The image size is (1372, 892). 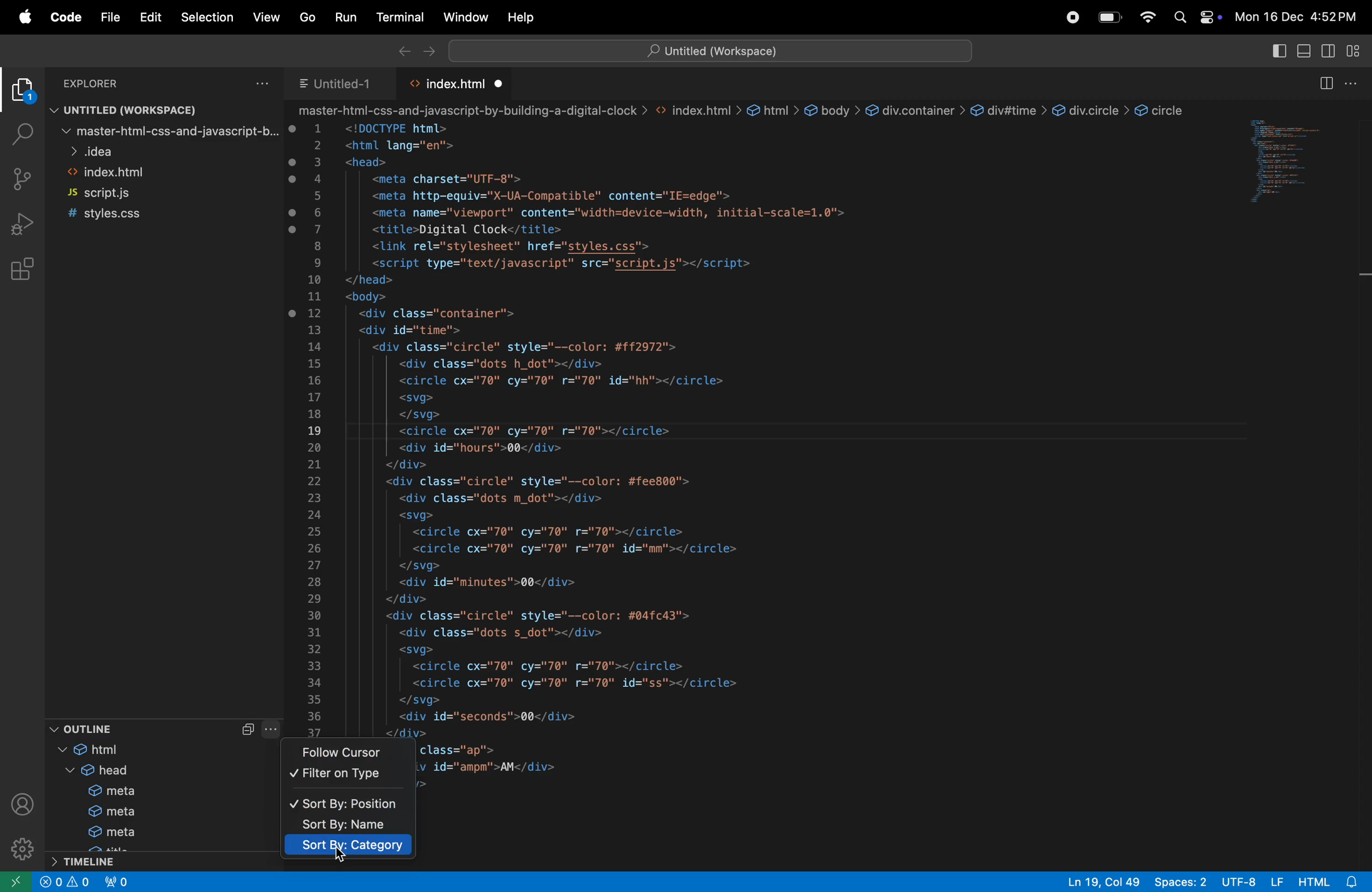 What do you see at coordinates (402, 50) in the screenshot?
I see `backward` at bounding box center [402, 50].